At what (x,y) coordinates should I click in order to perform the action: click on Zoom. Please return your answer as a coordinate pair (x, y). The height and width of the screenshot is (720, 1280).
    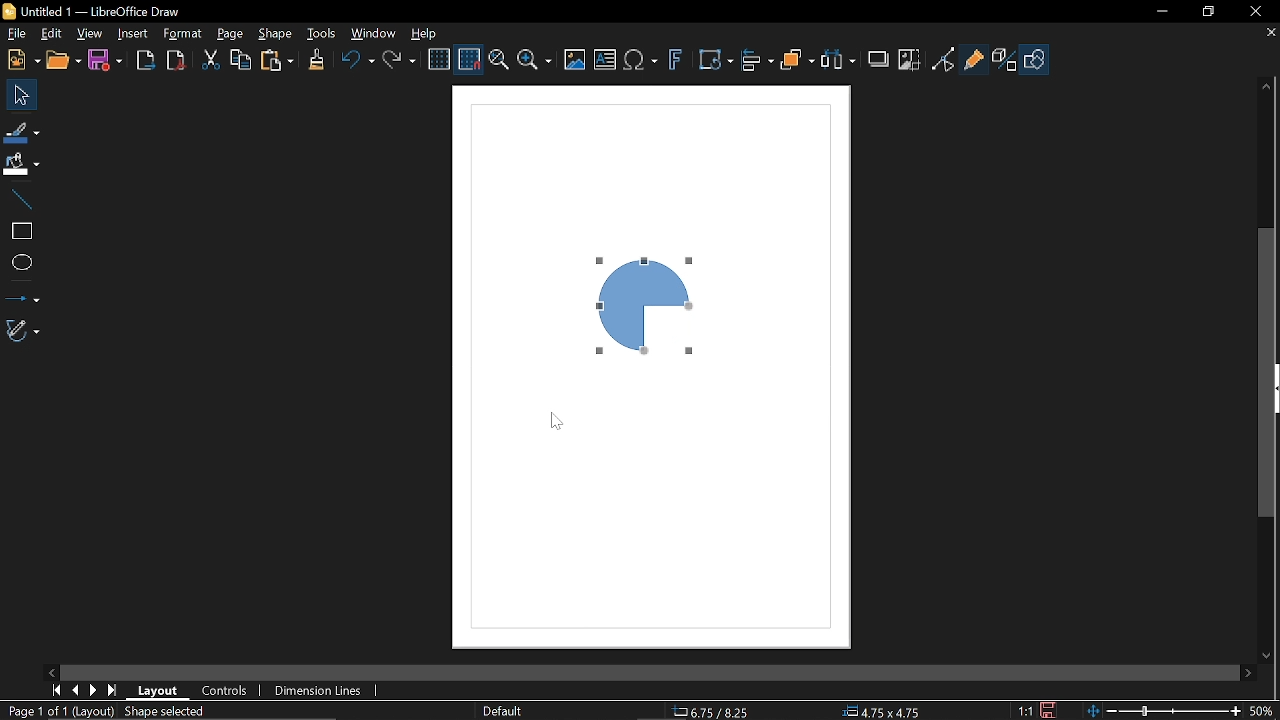
    Looking at the image, I should click on (534, 62).